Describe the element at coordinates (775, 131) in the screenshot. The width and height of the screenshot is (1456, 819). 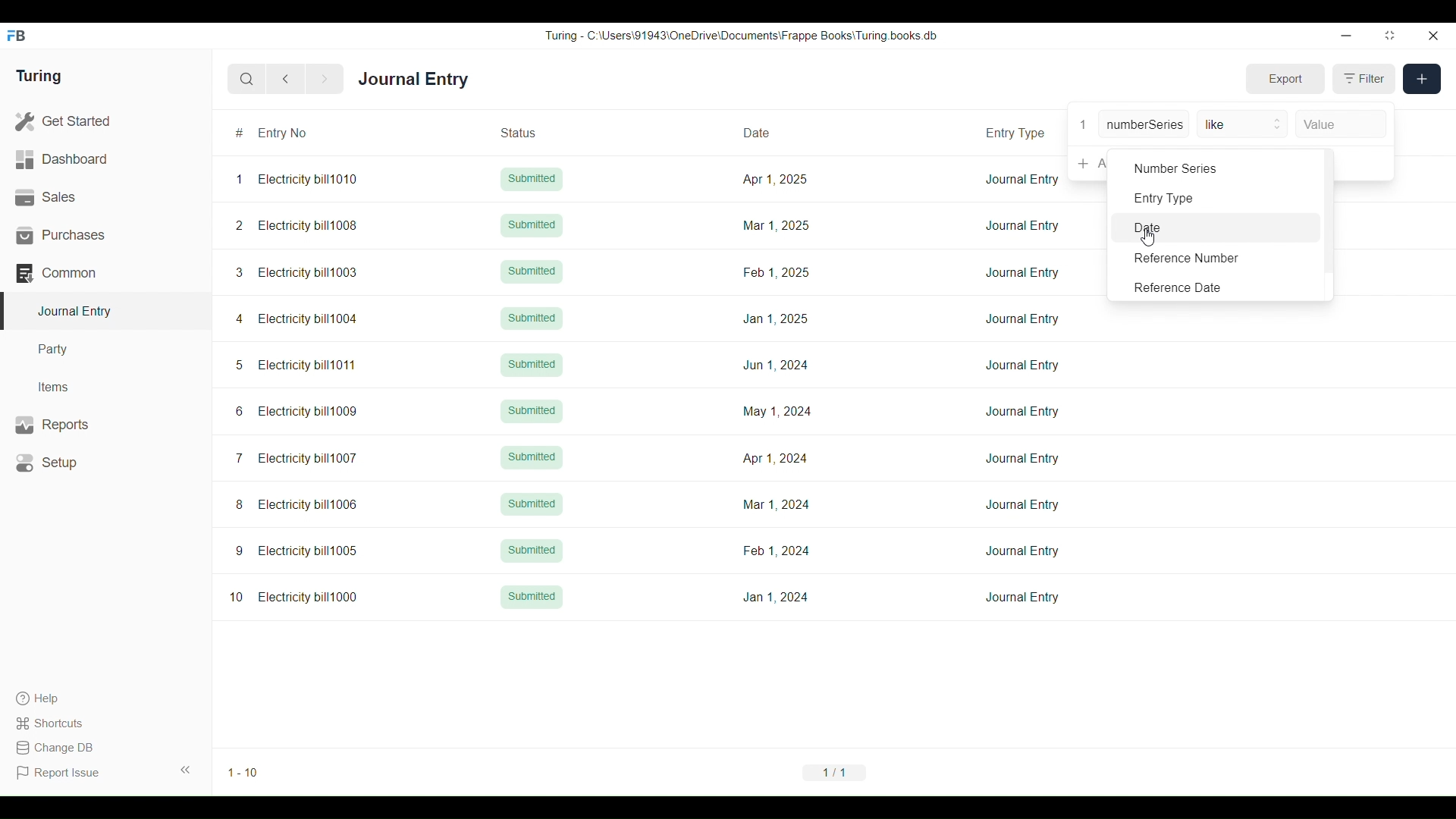
I see `Date` at that location.